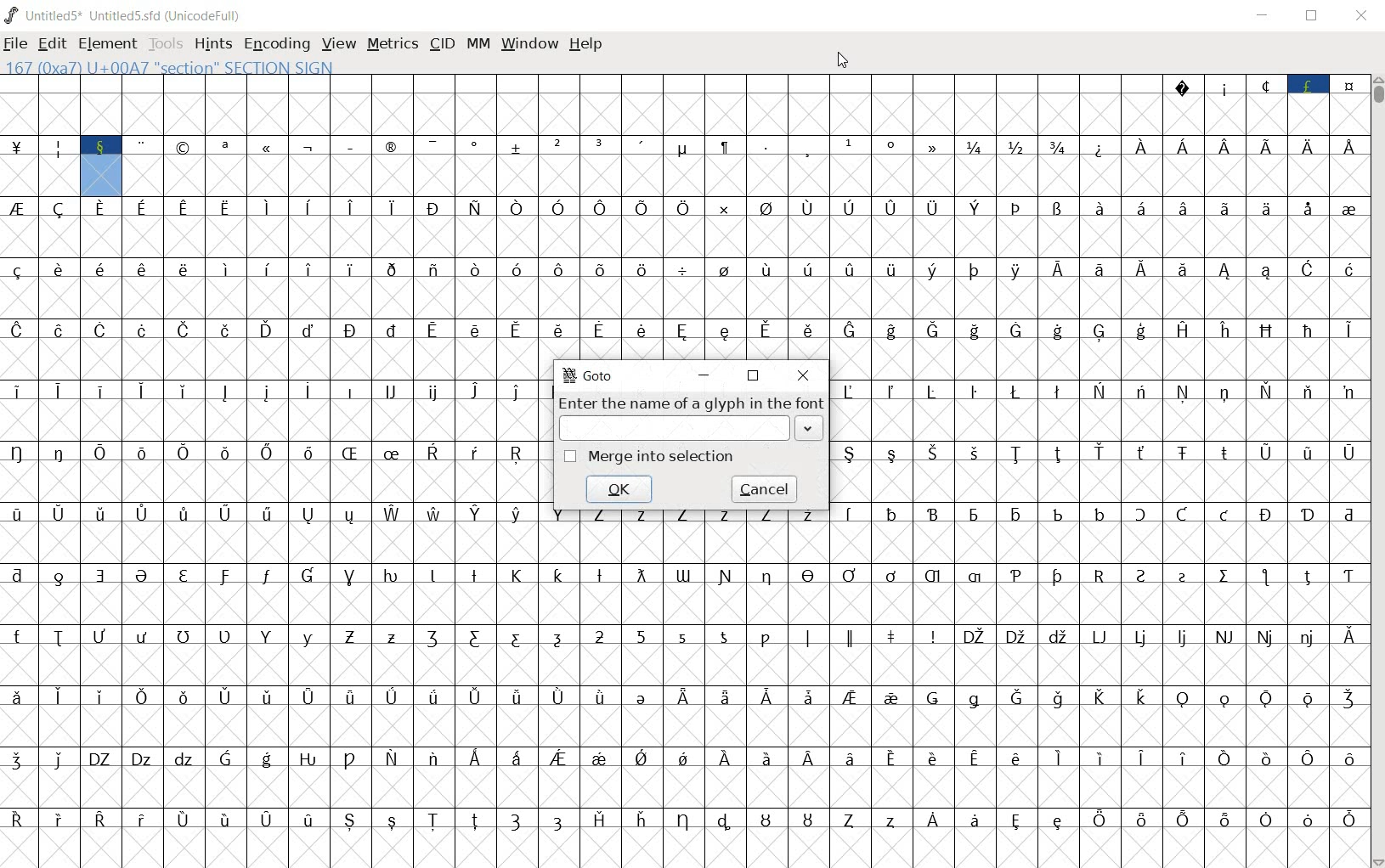 The image size is (1385, 868). I want to click on ok, so click(619, 488).